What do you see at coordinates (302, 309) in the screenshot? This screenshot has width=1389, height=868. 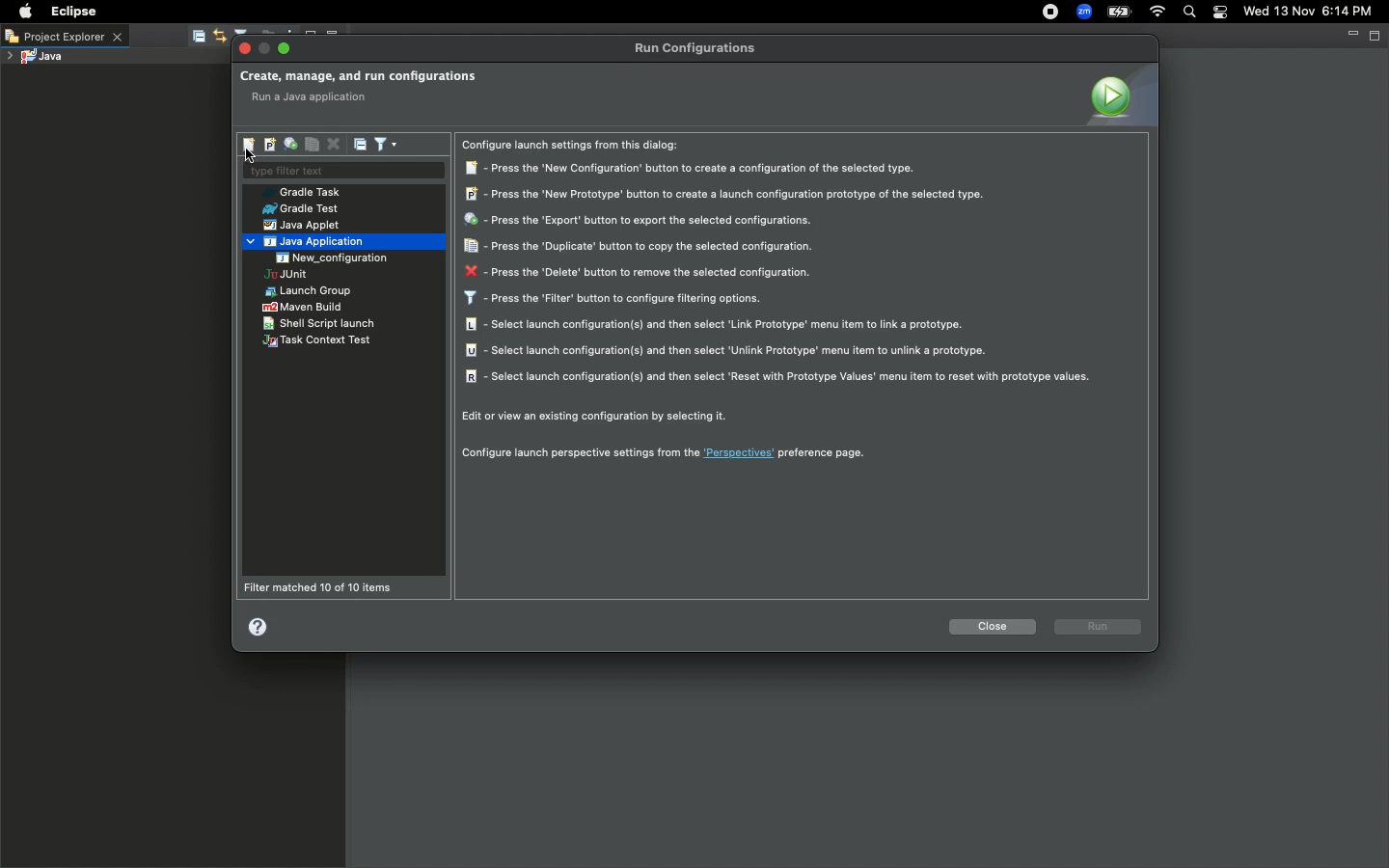 I see `Maven build` at bounding box center [302, 309].